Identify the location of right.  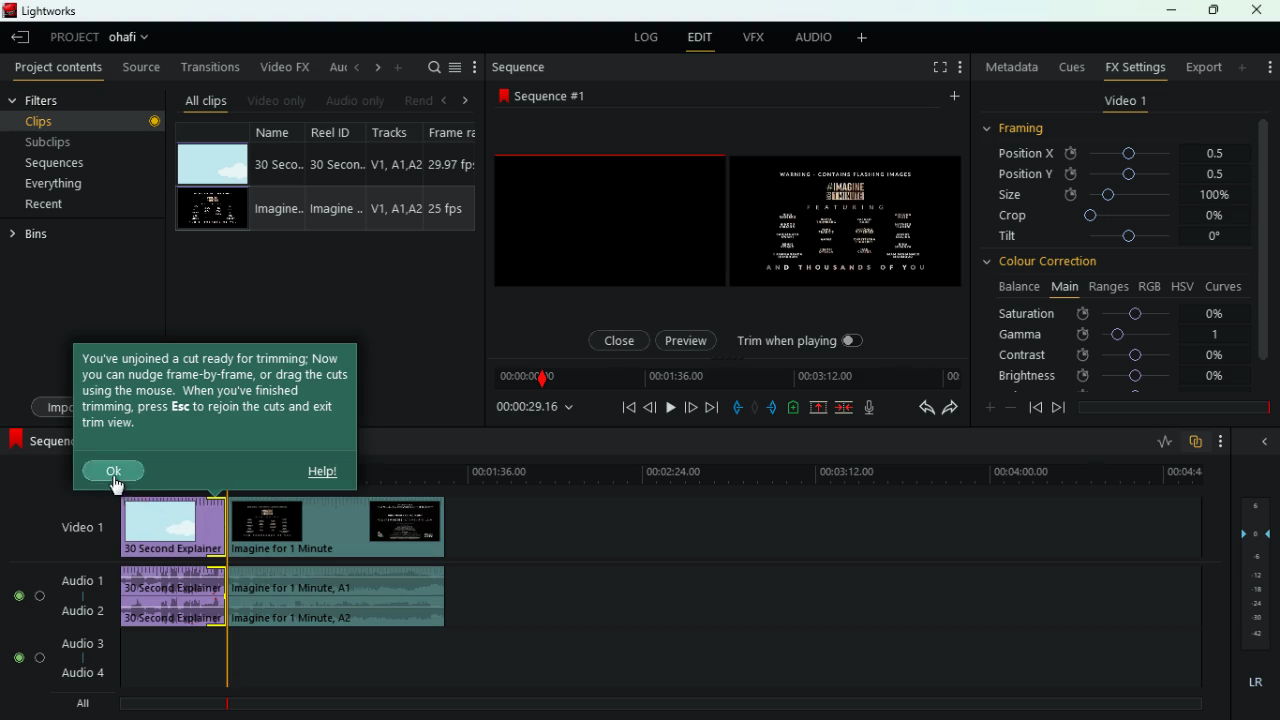
(466, 101).